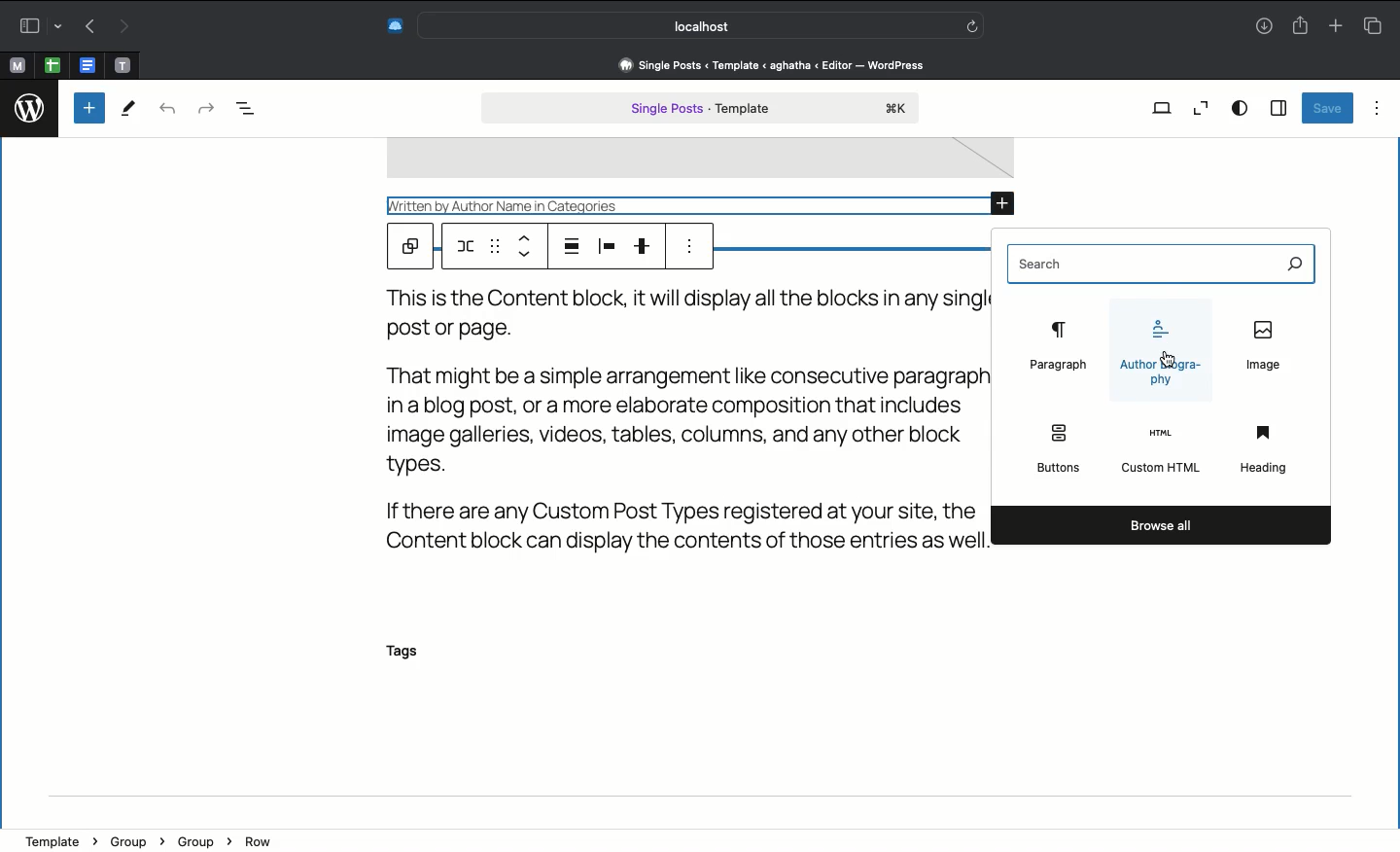 The width and height of the screenshot is (1400, 852). I want to click on cursor, so click(1170, 356).